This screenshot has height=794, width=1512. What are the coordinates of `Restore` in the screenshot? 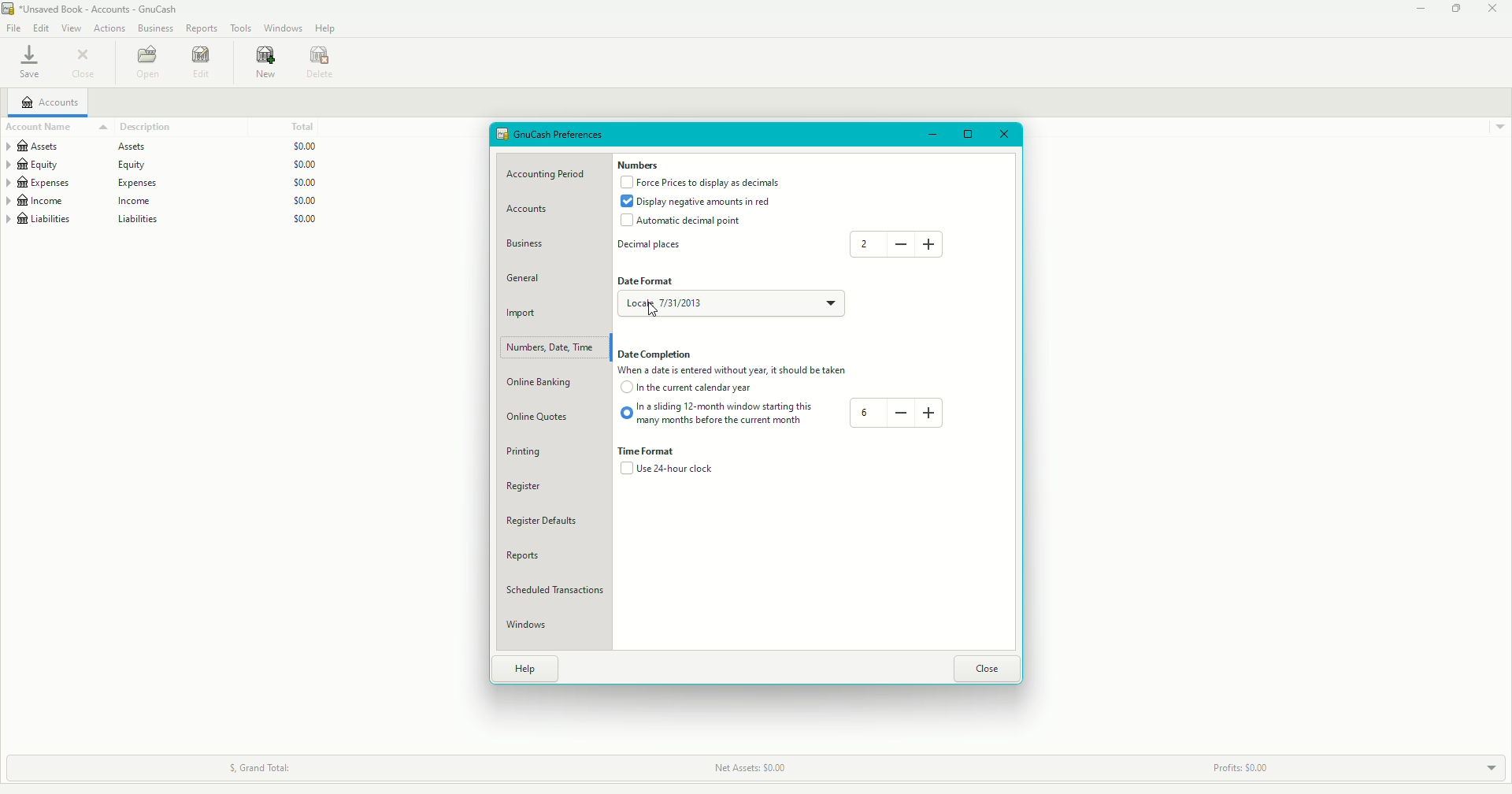 It's located at (1456, 9).